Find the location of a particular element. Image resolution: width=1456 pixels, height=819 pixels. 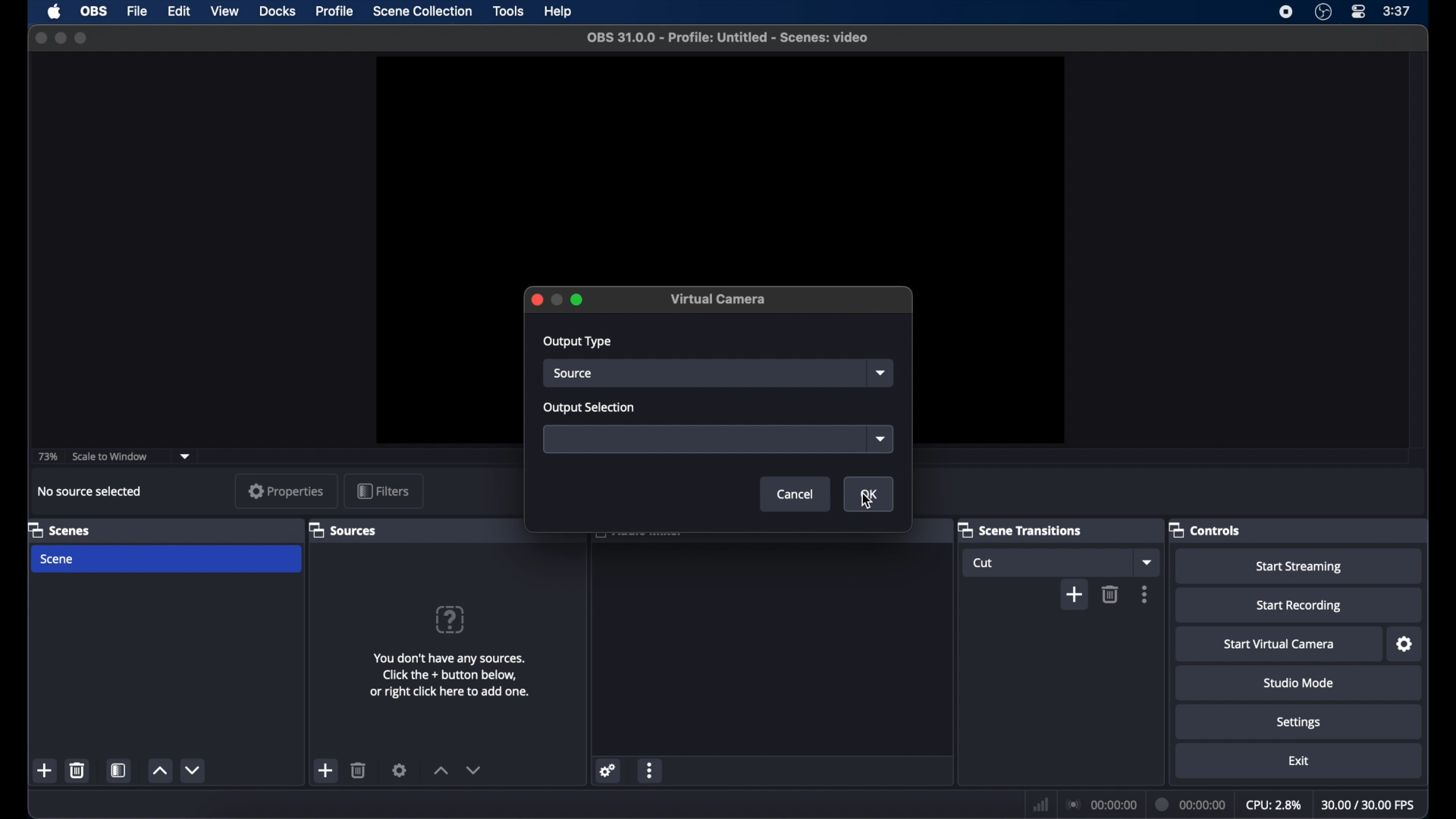

scene collection is located at coordinates (422, 11).